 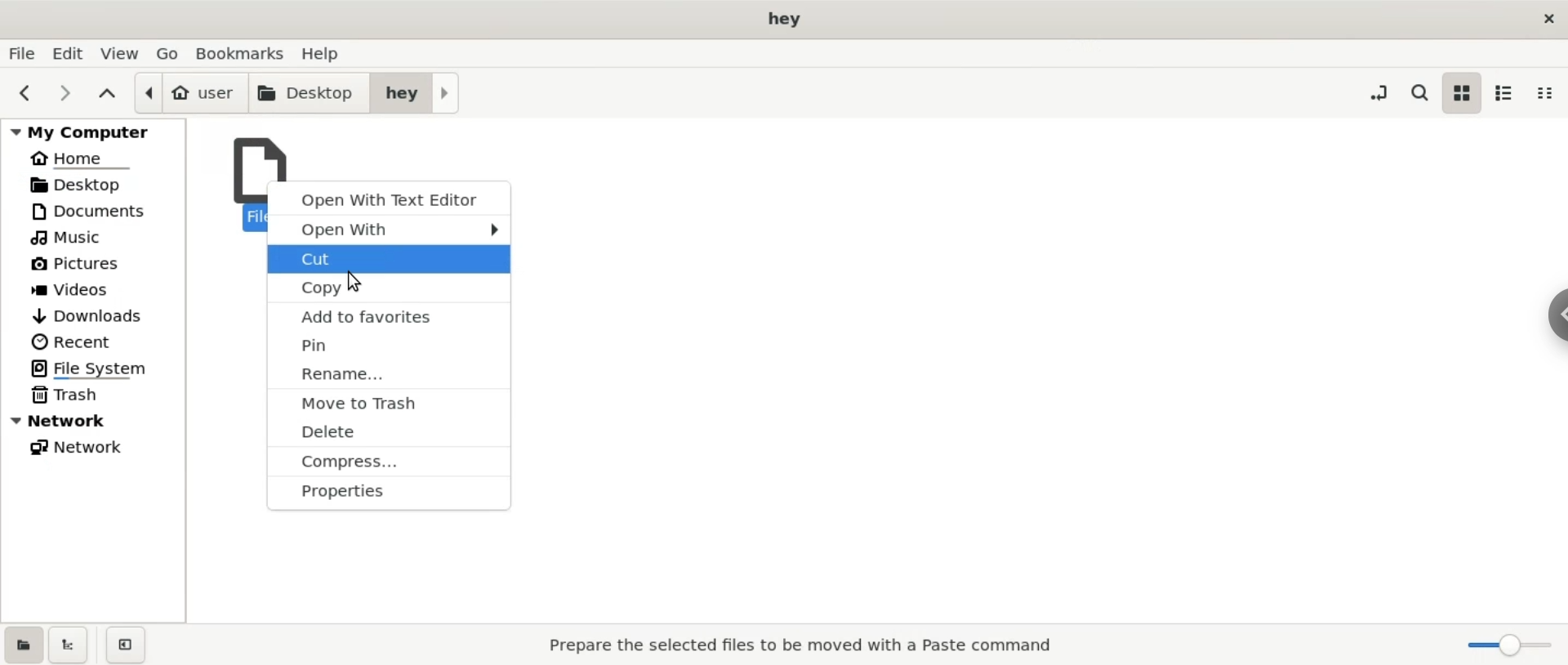 I want to click on desktop, so click(x=96, y=185).